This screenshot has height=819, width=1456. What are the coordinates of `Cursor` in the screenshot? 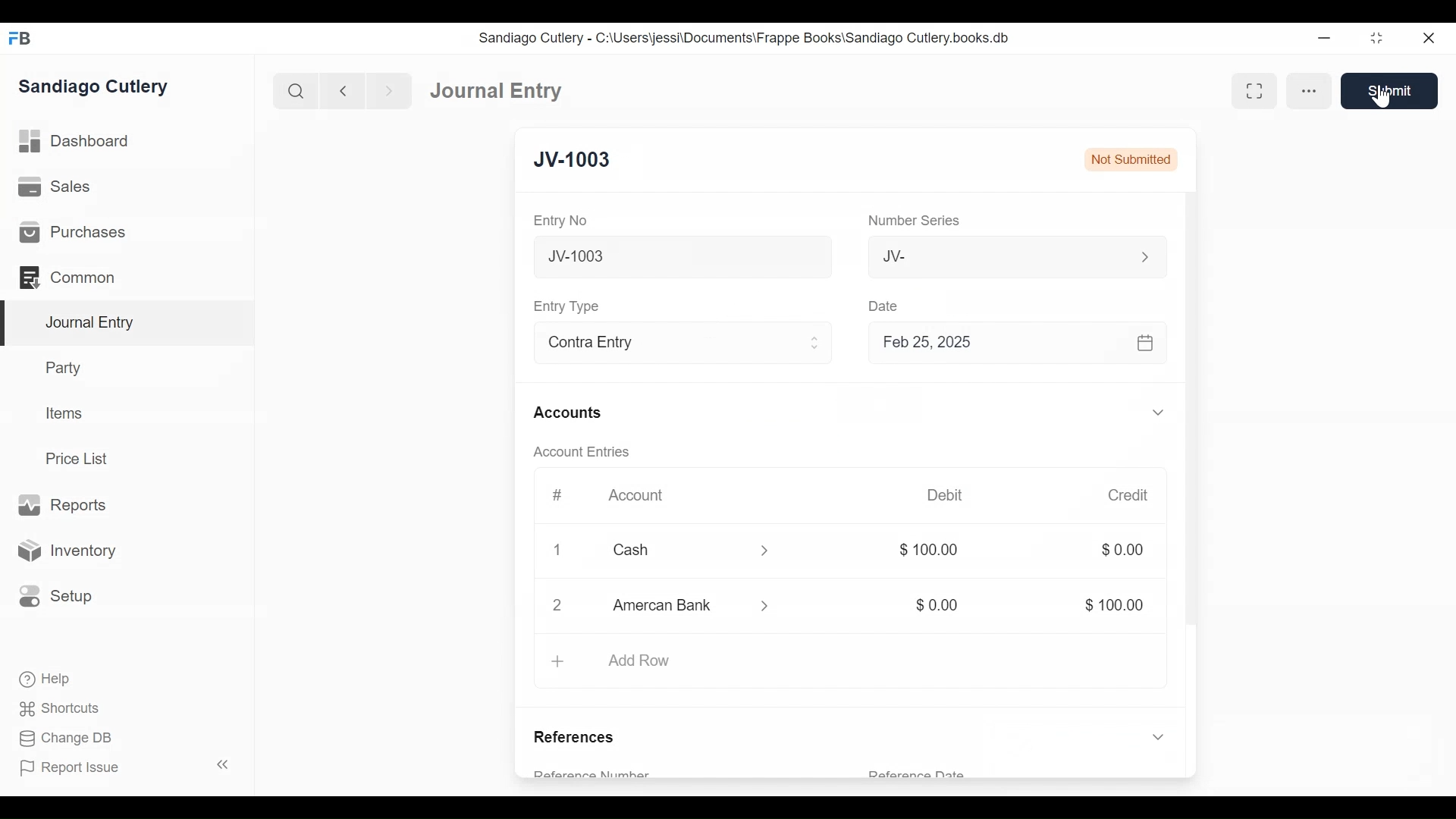 It's located at (1383, 94).